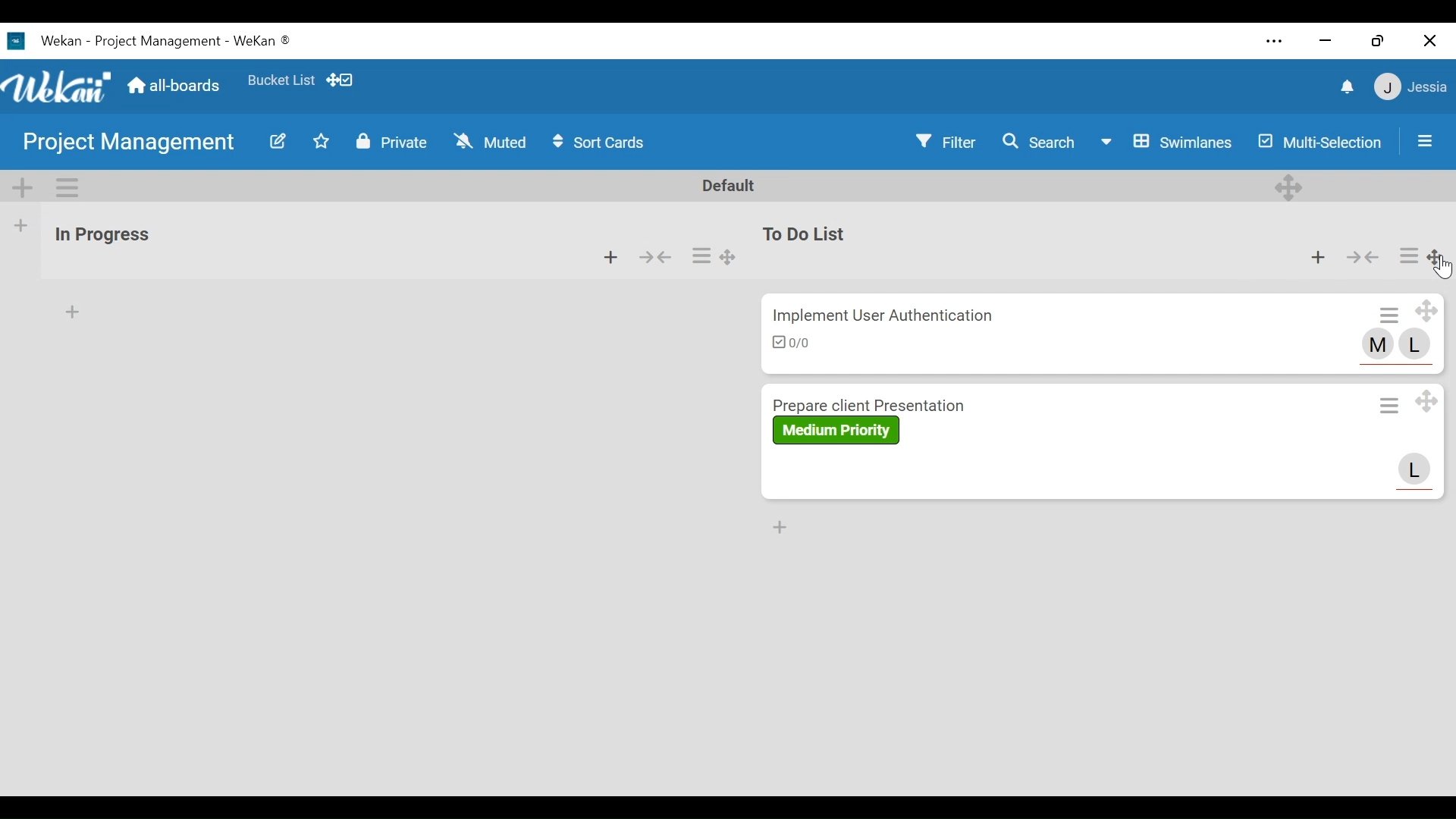  What do you see at coordinates (169, 41) in the screenshot?
I see `Wekan - Project Management - WeKan ®` at bounding box center [169, 41].